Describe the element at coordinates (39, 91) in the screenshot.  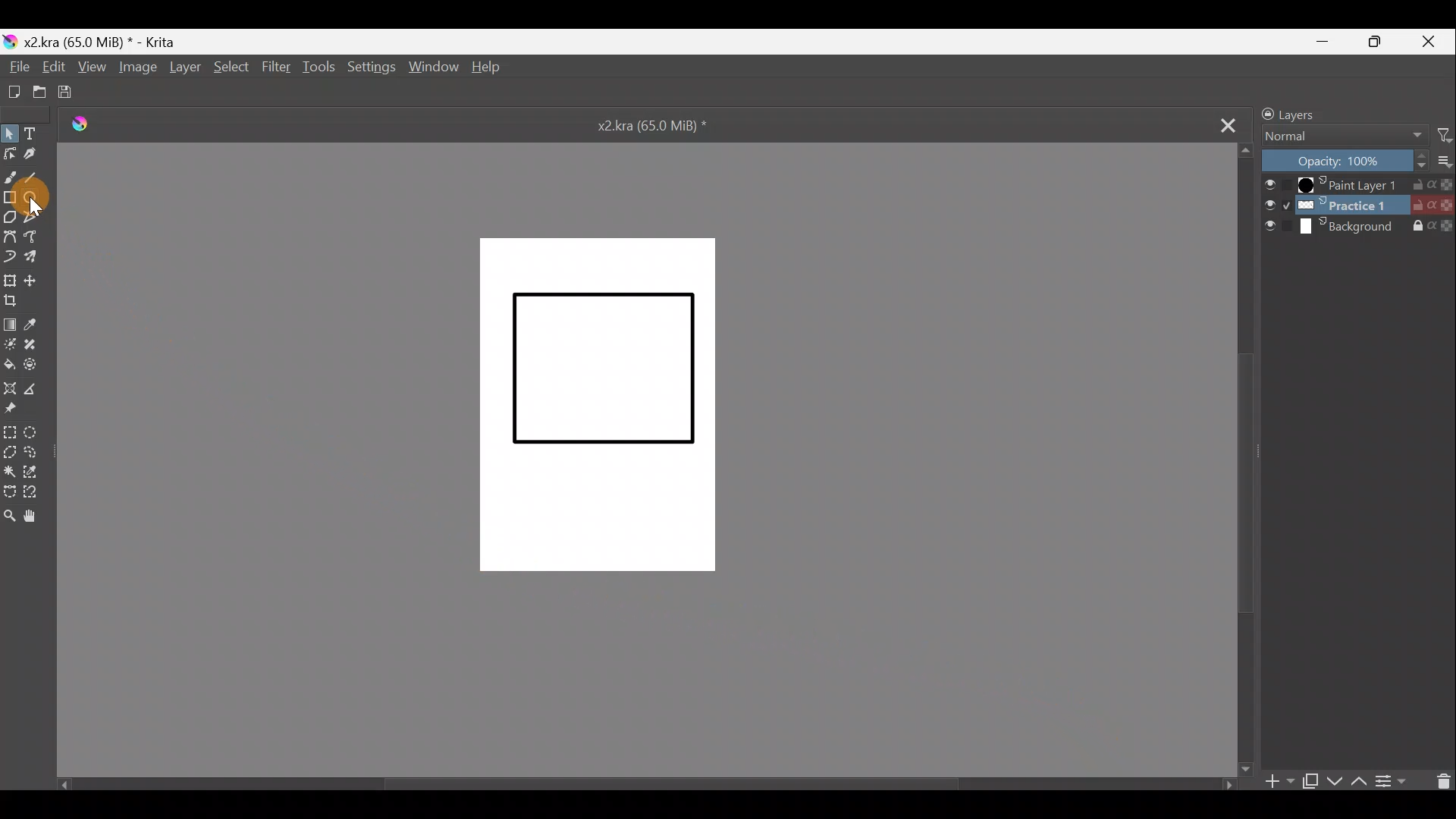
I see `Open existing document` at that location.